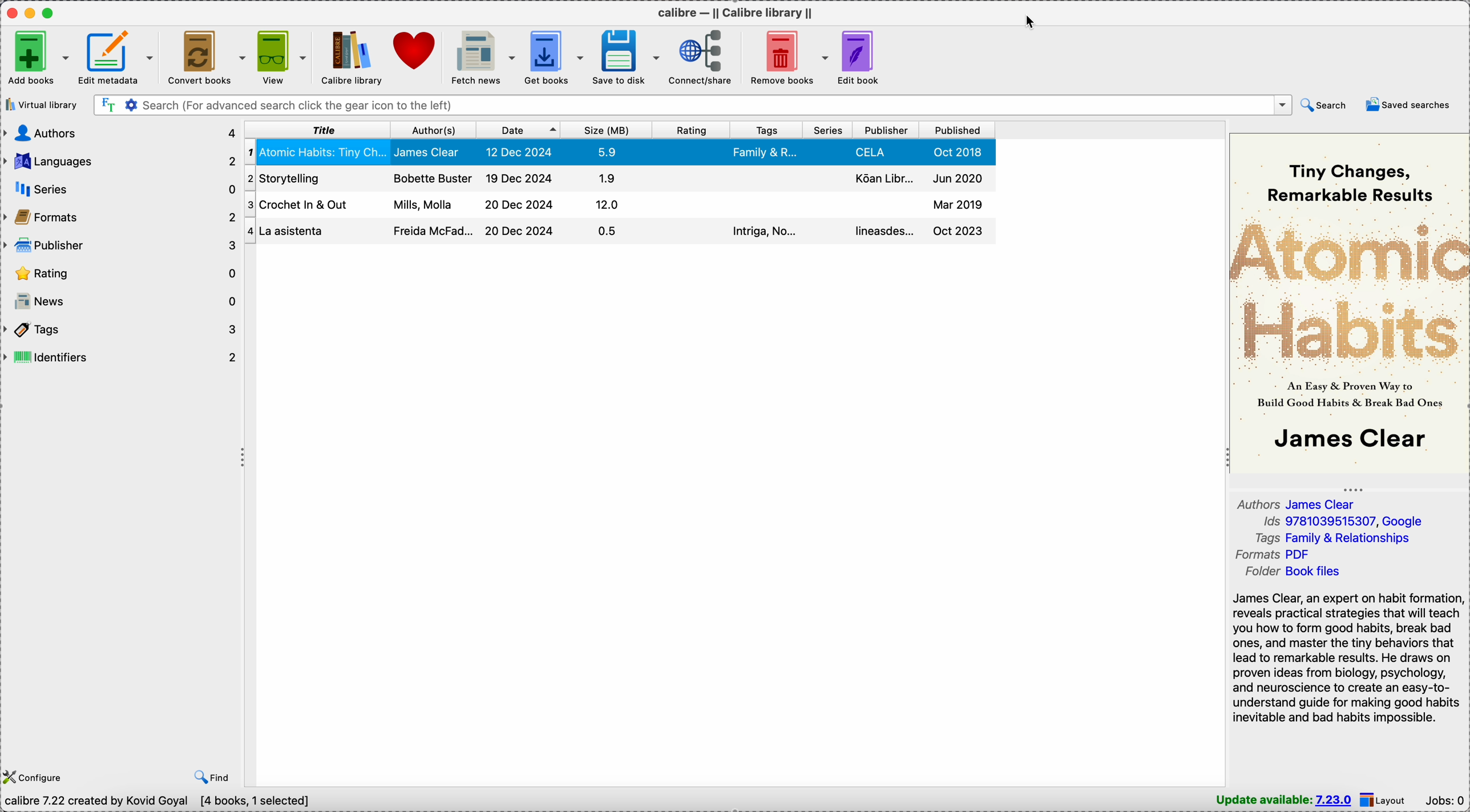 Image resolution: width=1470 pixels, height=812 pixels. Describe the element at coordinates (415, 52) in the screenshot. I see `donate` at that location.